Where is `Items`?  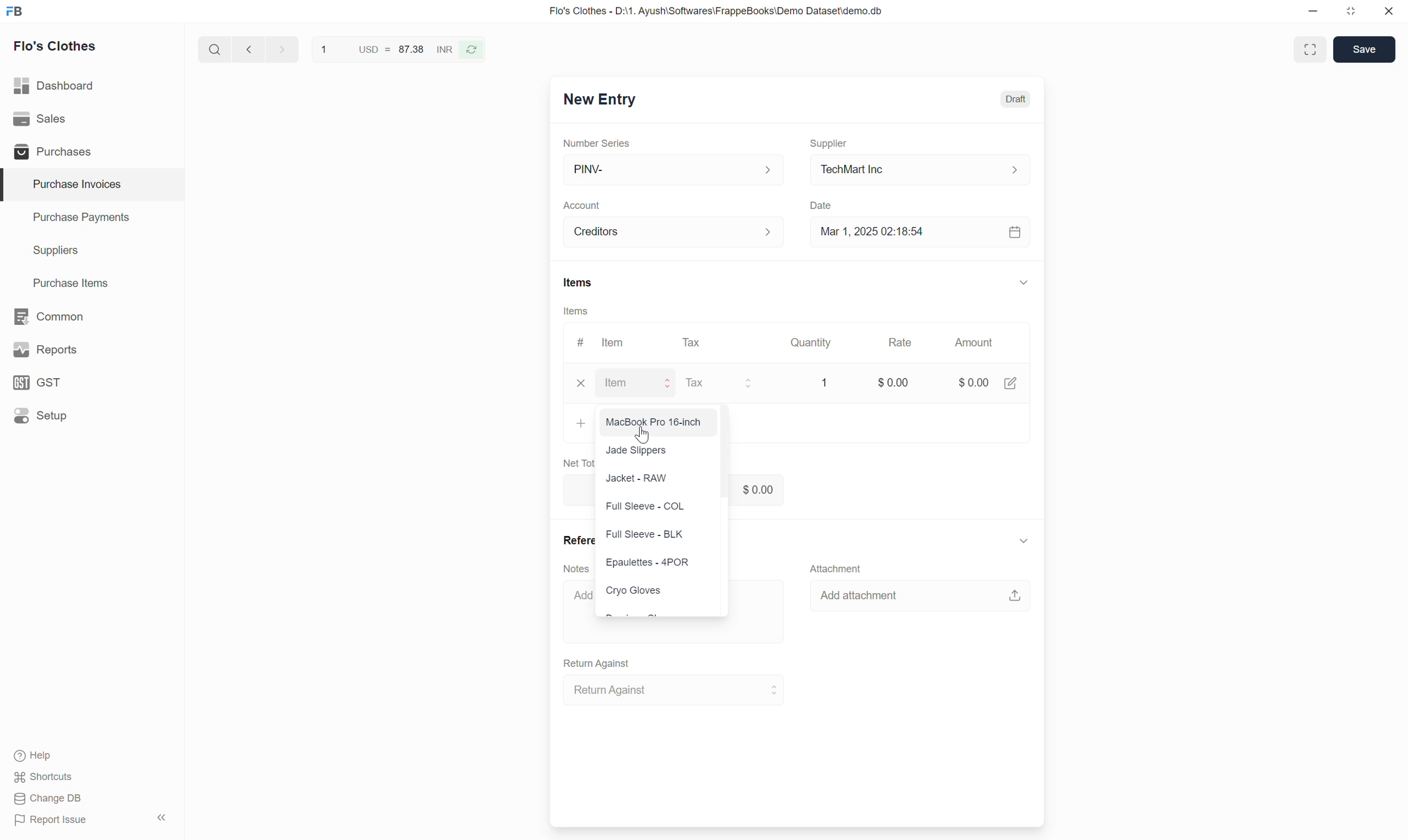 Items is located at coordinates (576, 311).